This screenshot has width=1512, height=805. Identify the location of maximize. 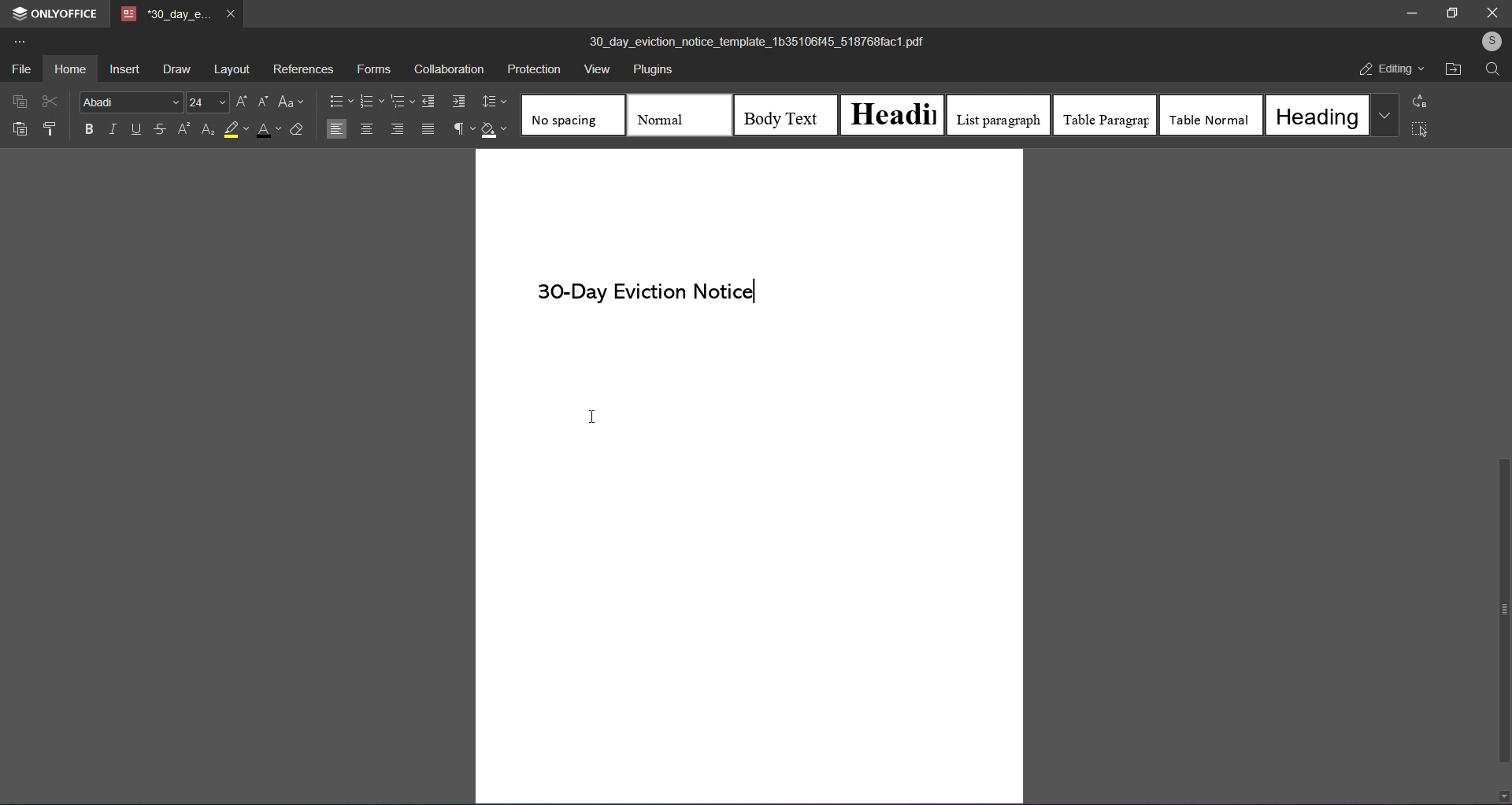
(1451, 15).